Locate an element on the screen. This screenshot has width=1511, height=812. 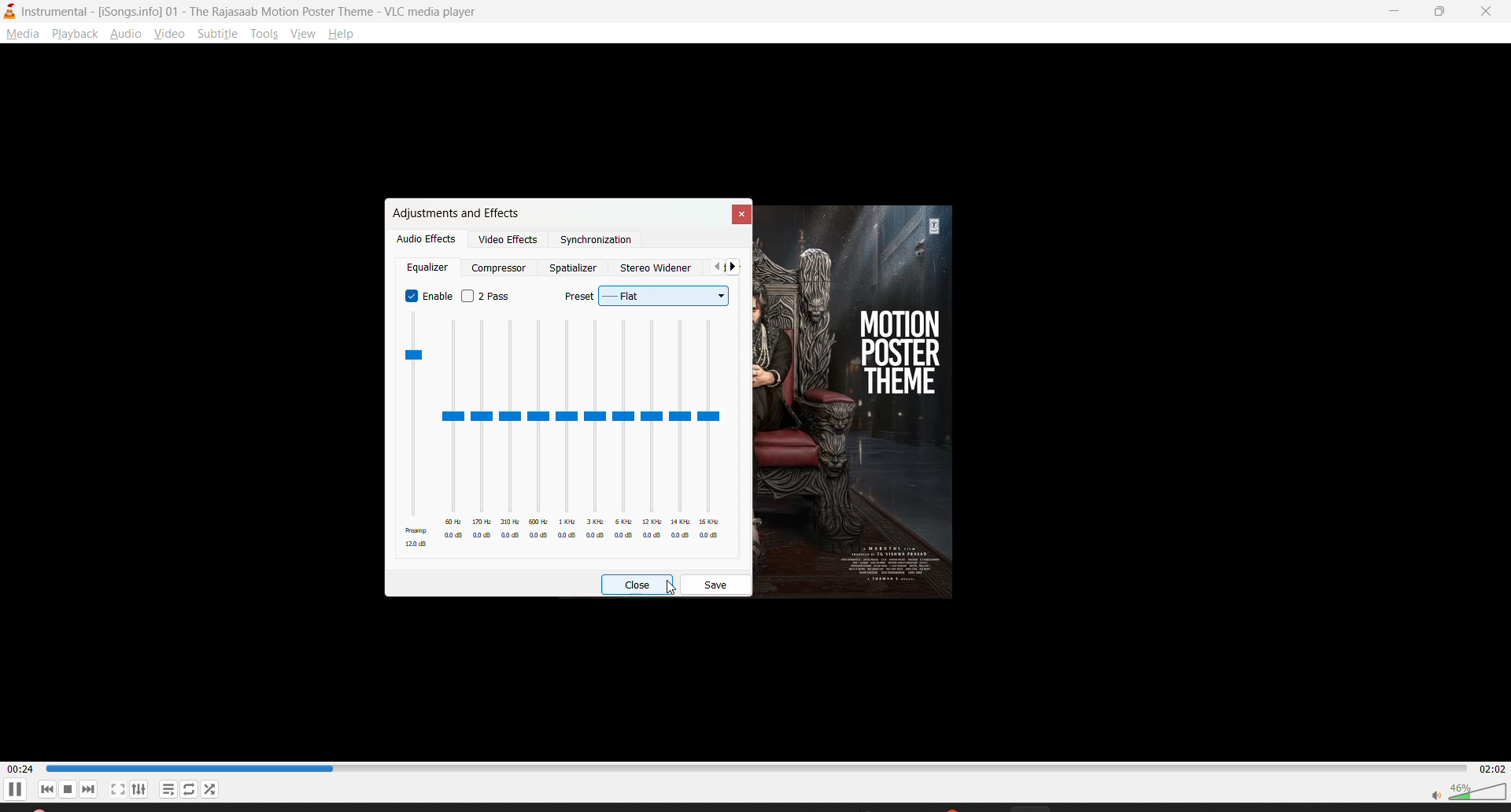
save is located at coordinates (718, 584).